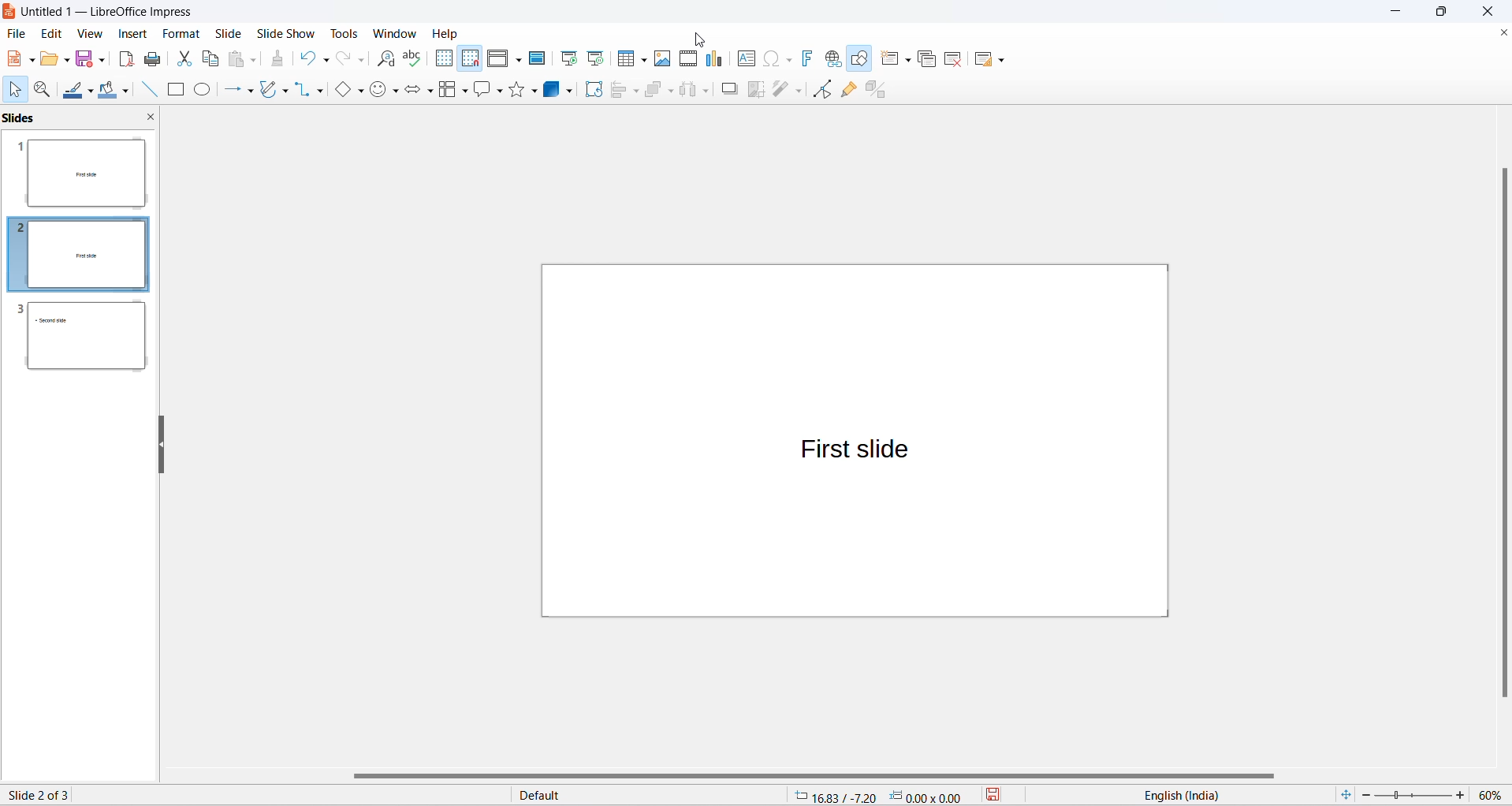 Image resolution: width=1512 pixels, height=806 pixels. What do you see at coordinates (284, 31) in the screenshot?
I see `slide show` at bounding box center [284, 31].